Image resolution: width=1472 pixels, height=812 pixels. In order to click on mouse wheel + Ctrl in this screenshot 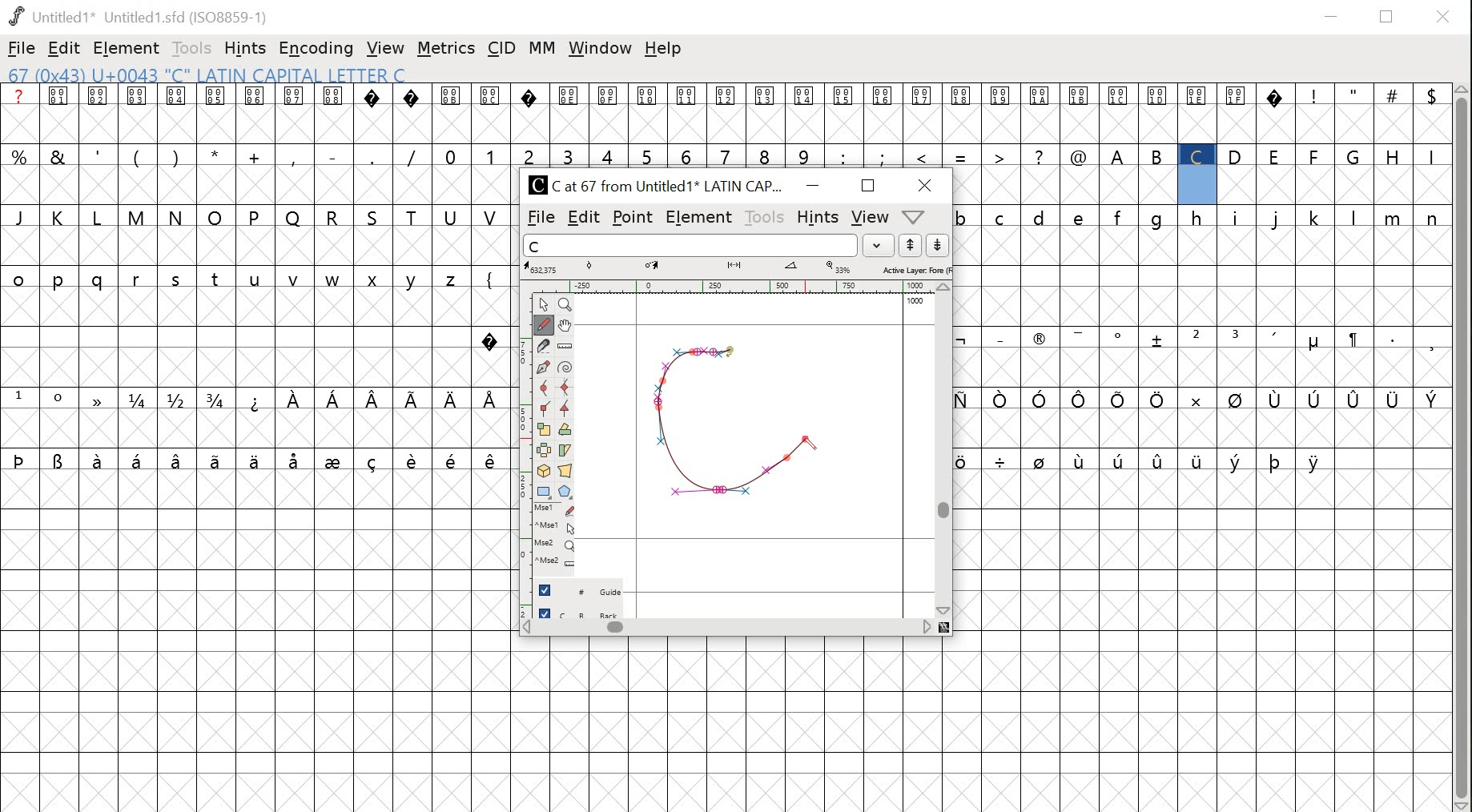, I will do `click(557, 564)`.